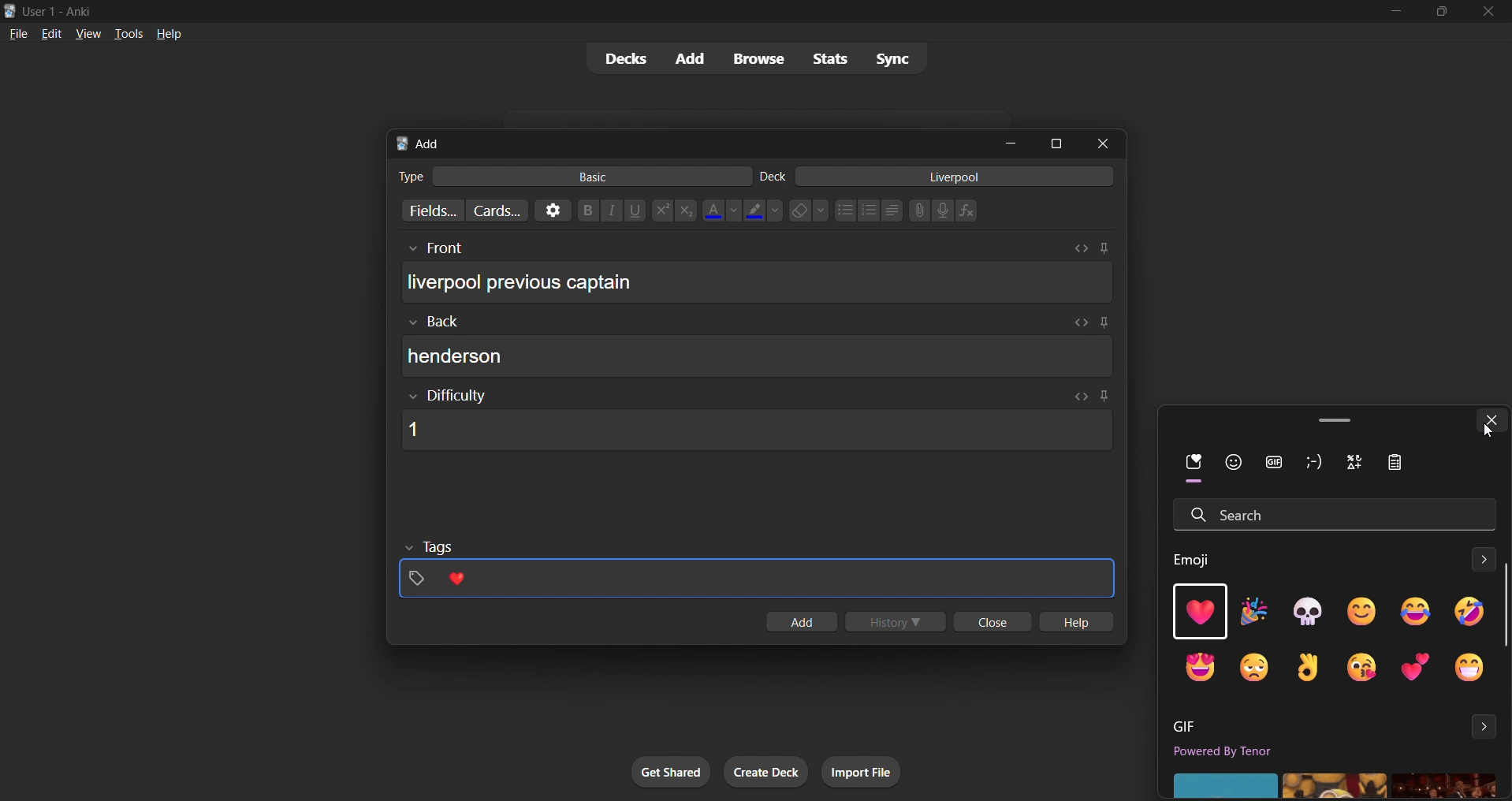 This screenshot has width=1512, height=801. Describe the element at coordinates (1308, 611) in the screenshot. I see `emoji` at that location.